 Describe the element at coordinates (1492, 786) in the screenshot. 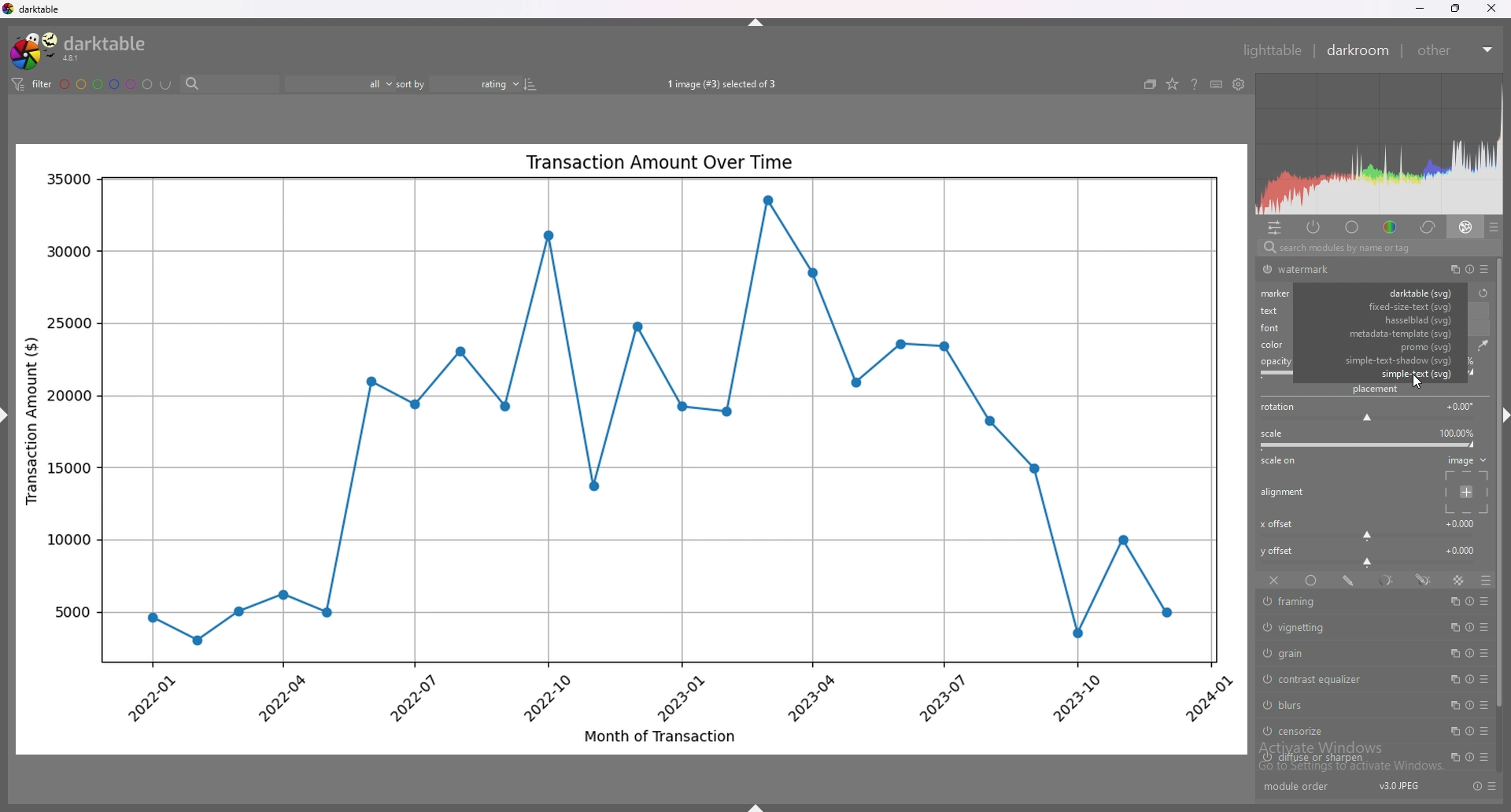

I see `presets` at that location.